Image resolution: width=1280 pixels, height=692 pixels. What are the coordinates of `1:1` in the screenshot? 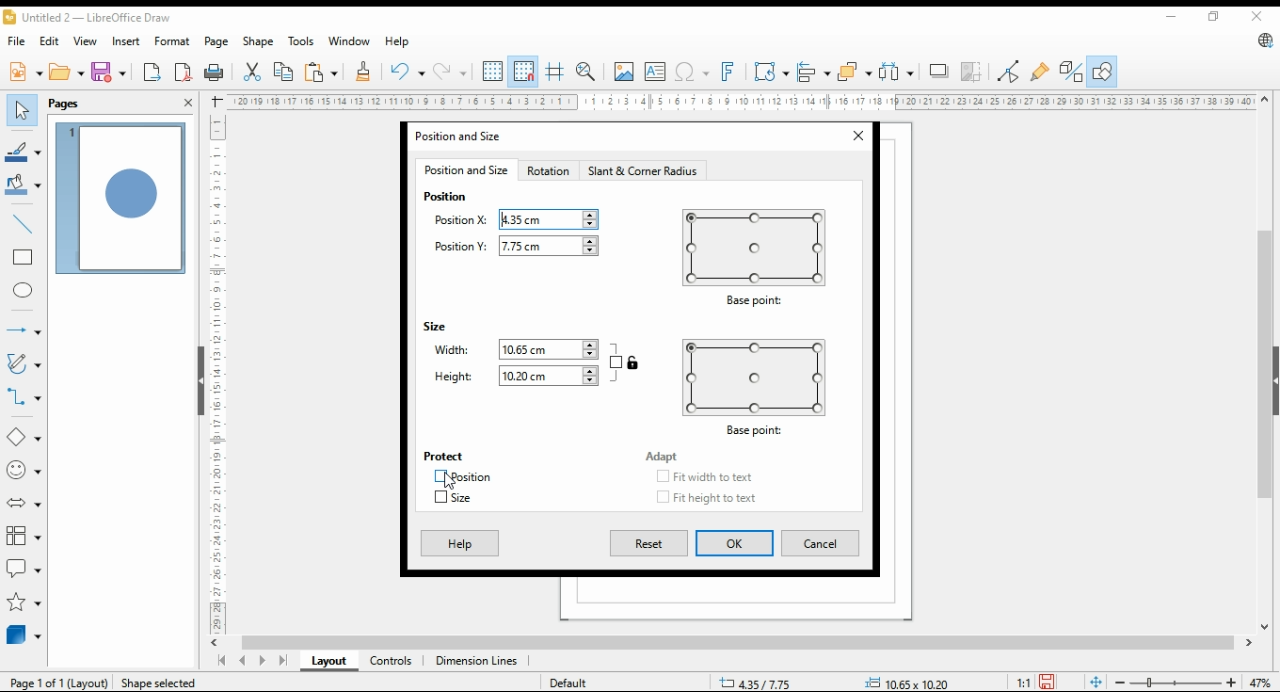 It's located at (1023, 681).